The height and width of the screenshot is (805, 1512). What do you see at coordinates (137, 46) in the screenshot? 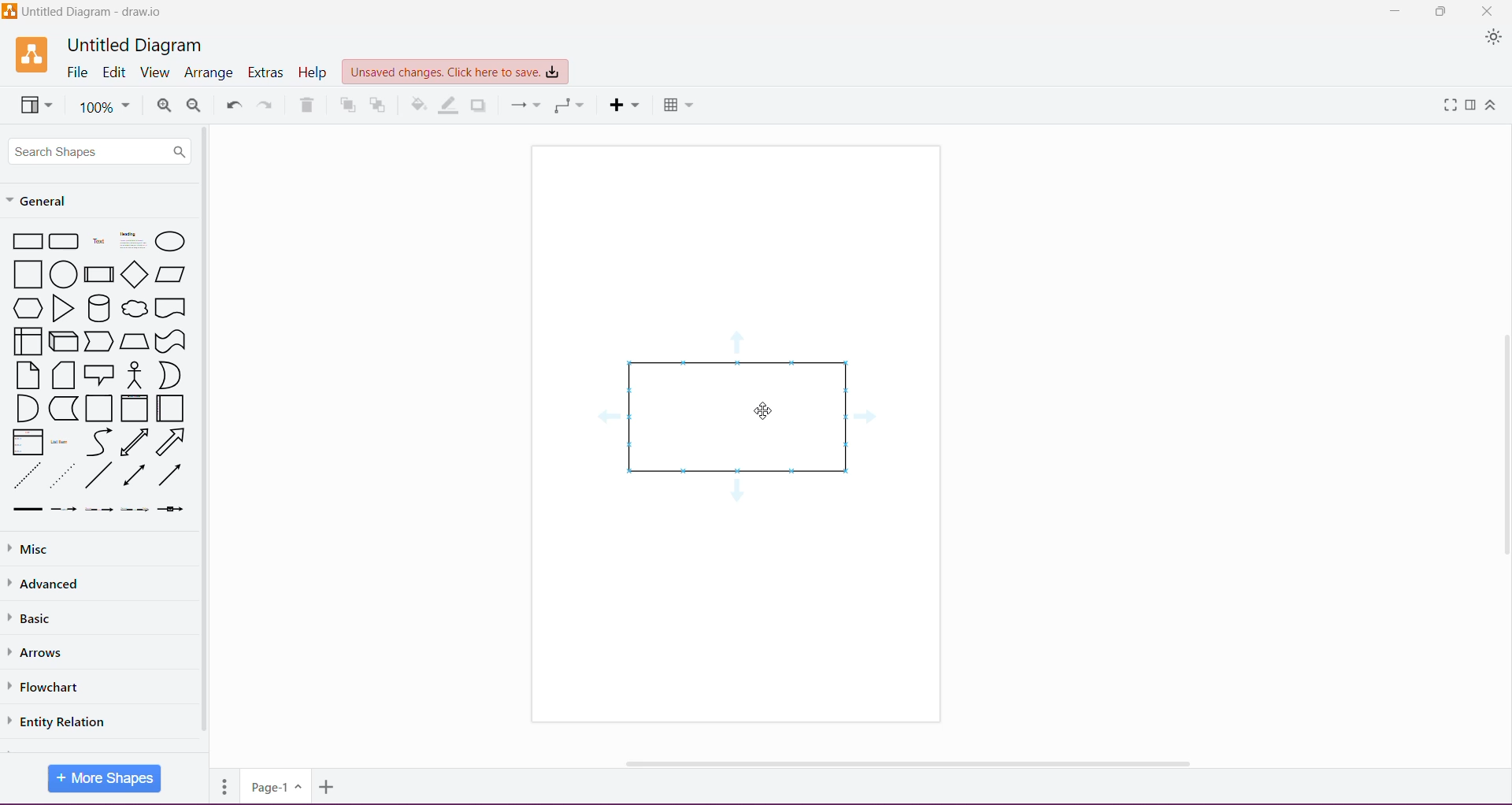
I see `Untitled Diagram` at bounding box center [137, 46].